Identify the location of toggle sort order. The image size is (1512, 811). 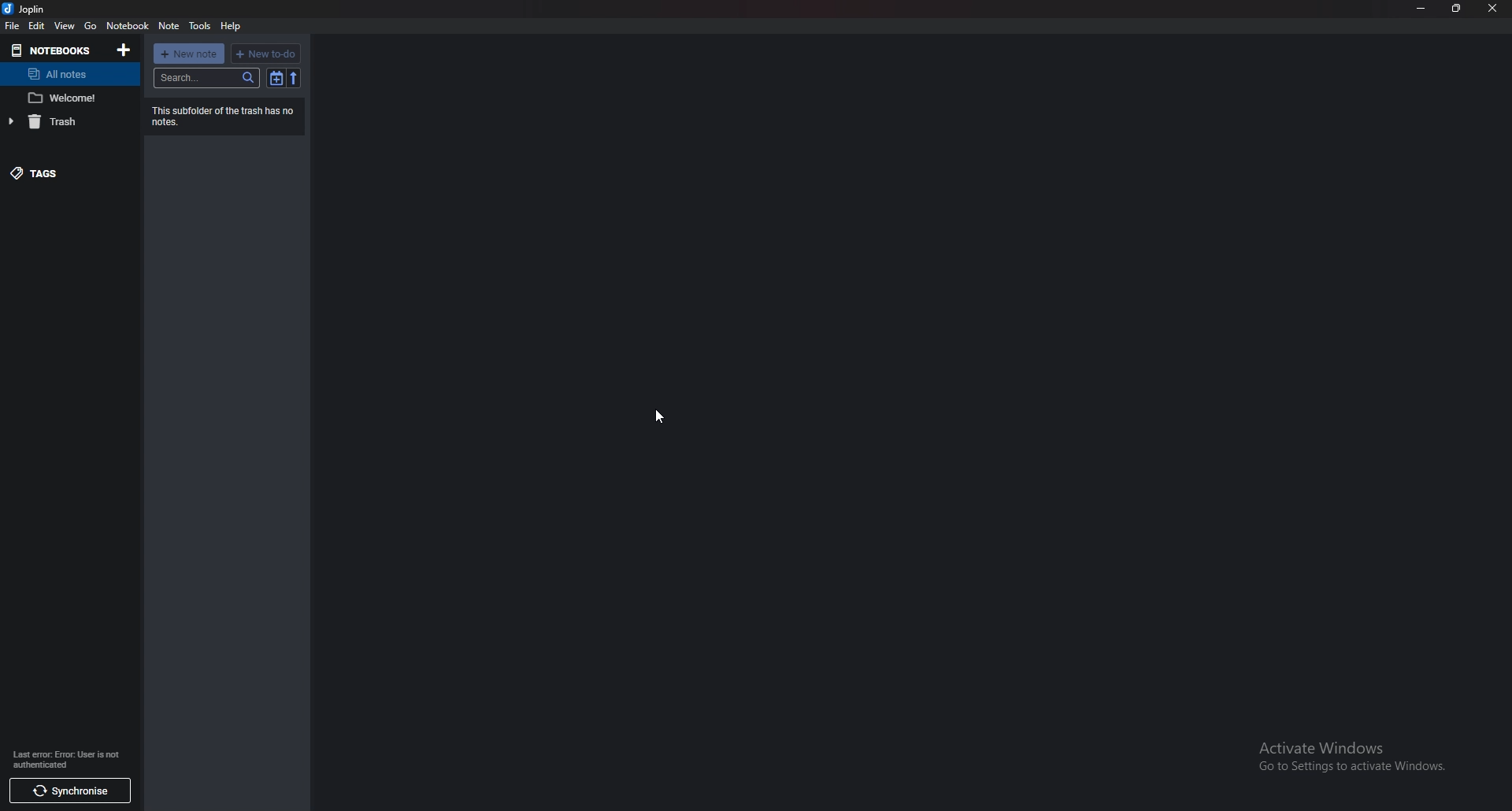
(276, 78).